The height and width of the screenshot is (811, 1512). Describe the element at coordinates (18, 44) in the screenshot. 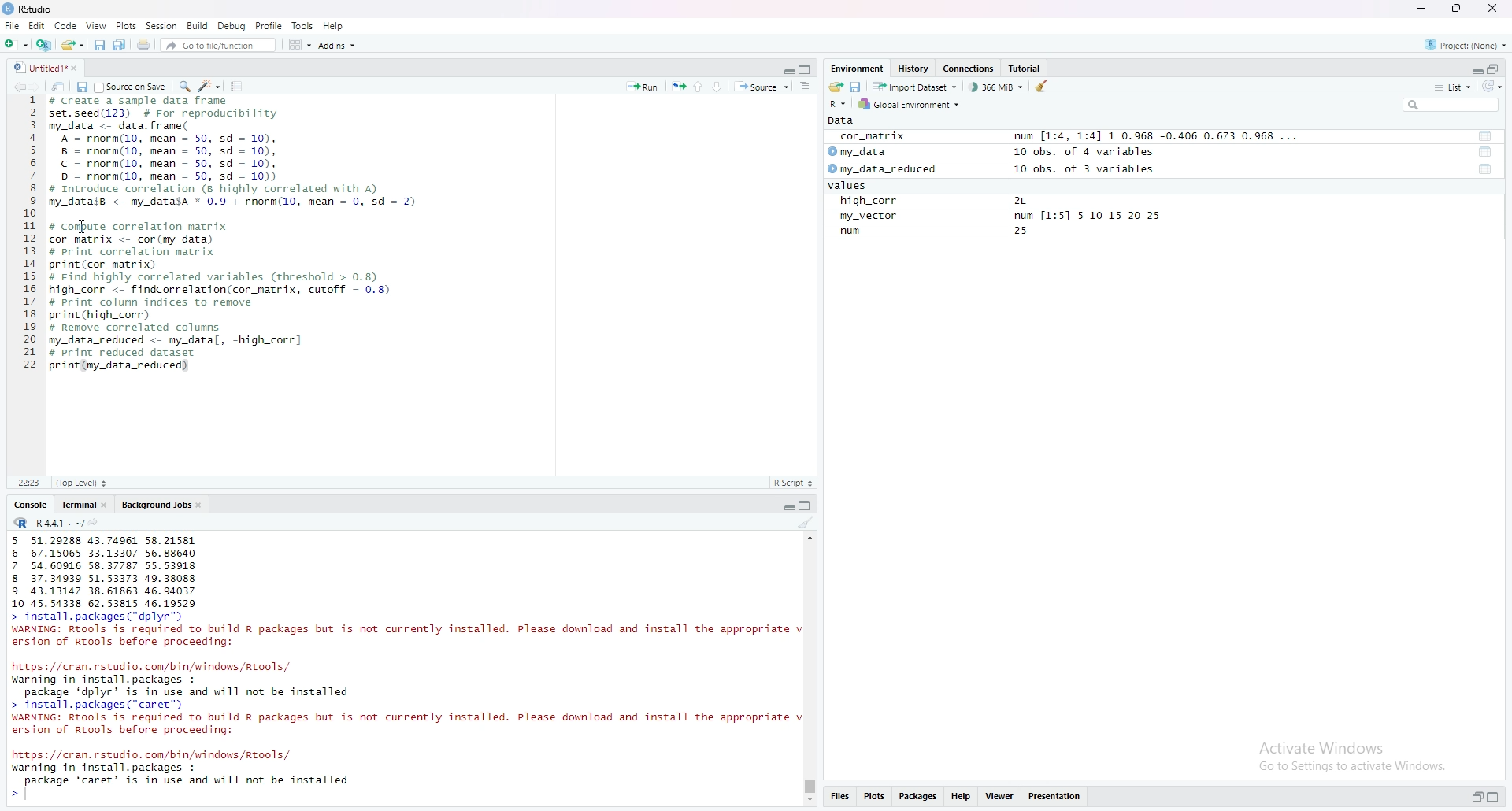

I see `add folder` at that location.